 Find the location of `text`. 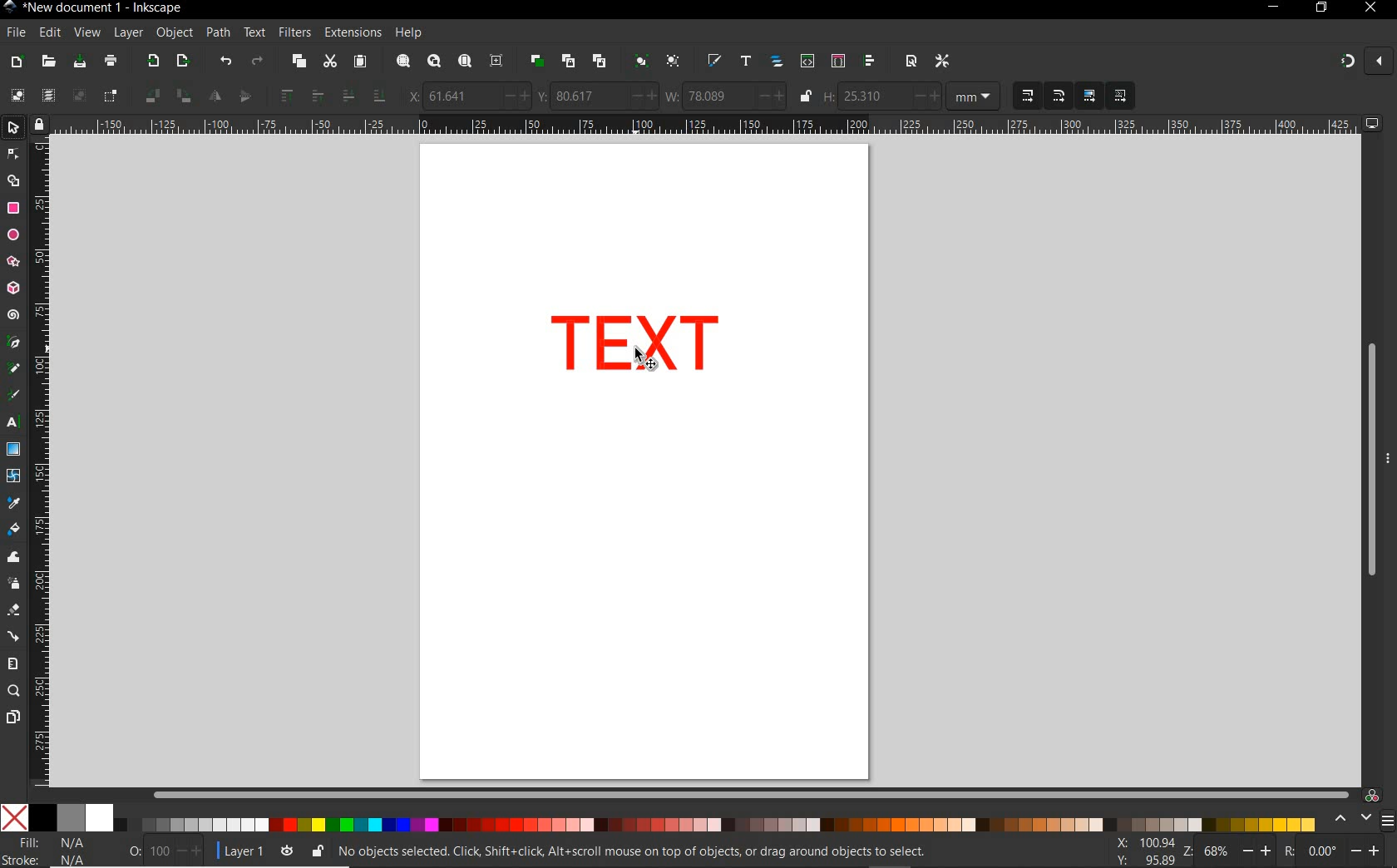

text is located at coordinates (255, 33).